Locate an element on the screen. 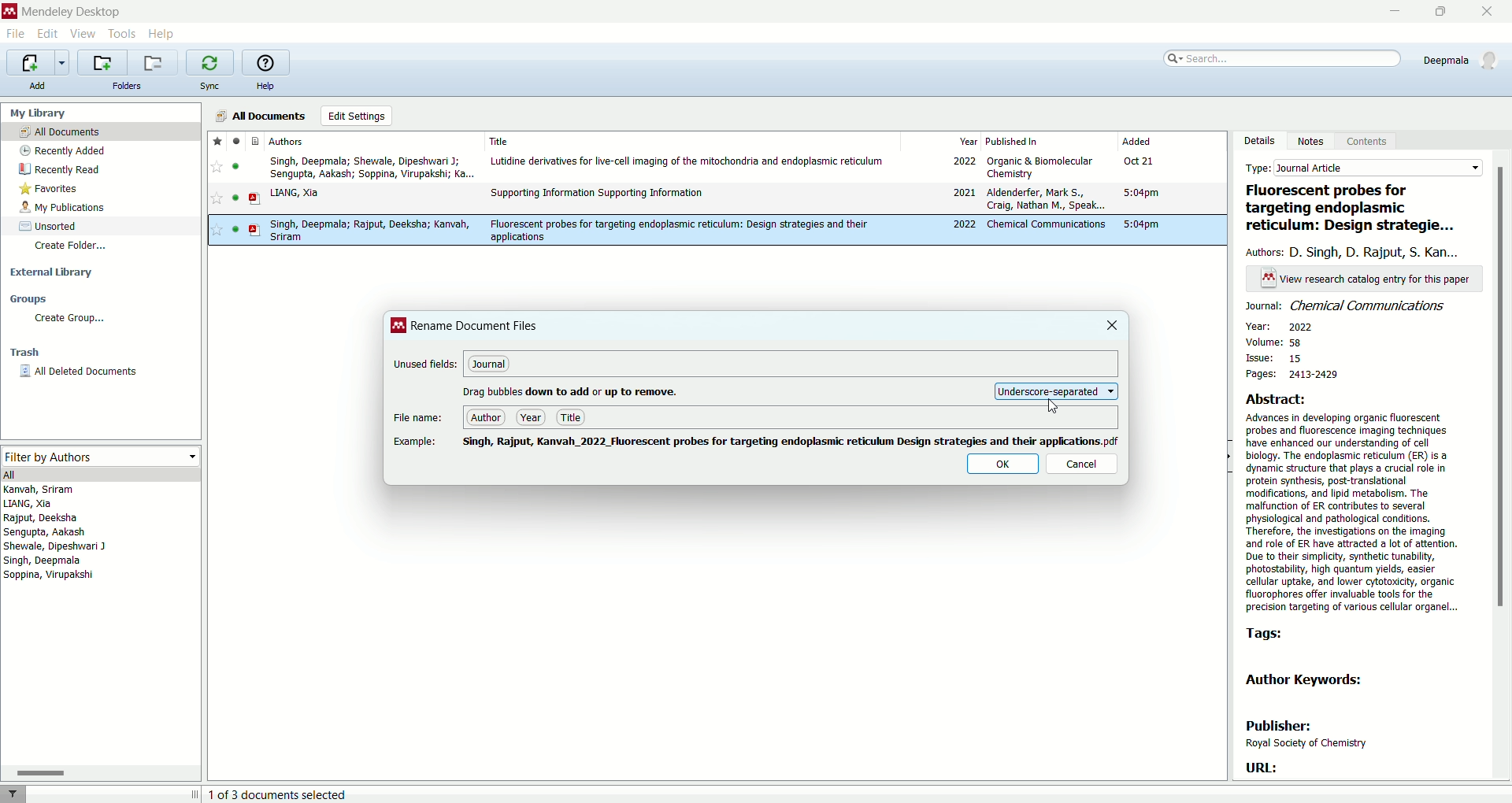  URL is located at coordinates (1261, 768).